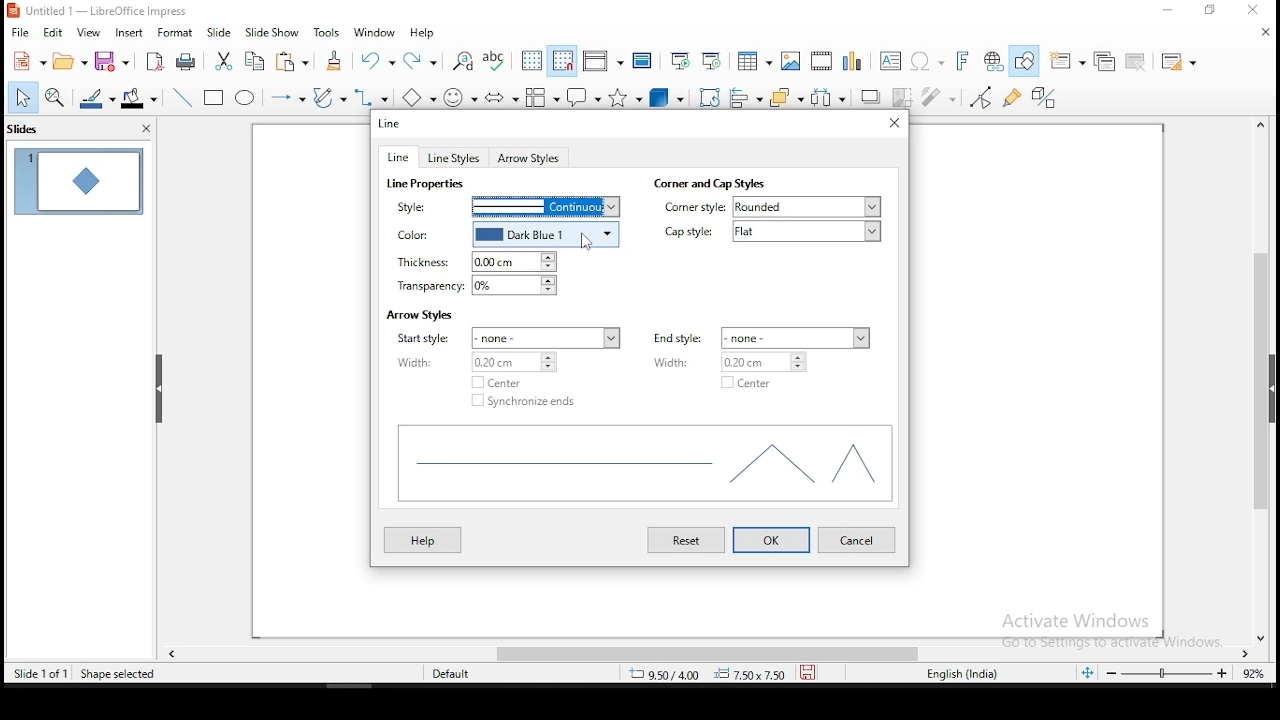 The height and width of the screenshot is (720, 1280). What do you see at coordinates (424, 263) in the screenshot?
I see `thickness` at bounding box center [424, 263].